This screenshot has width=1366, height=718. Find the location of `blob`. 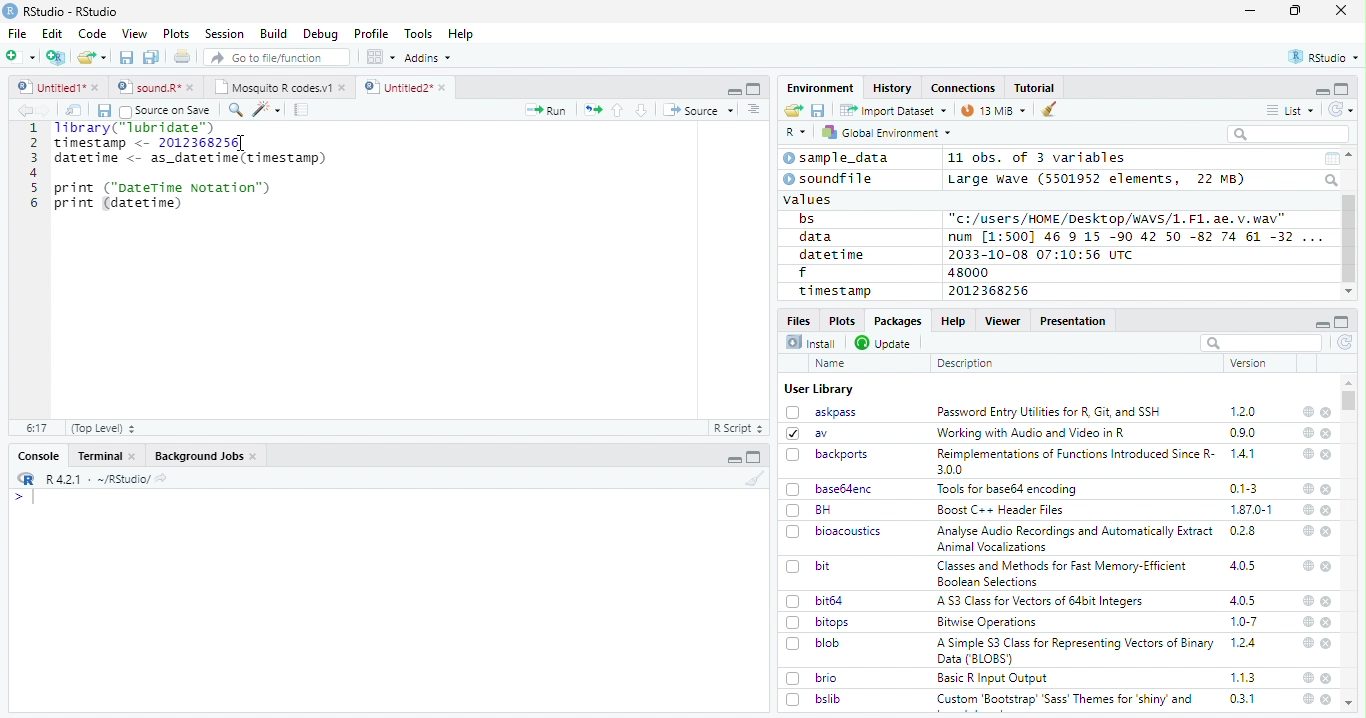

blob is located at coordinates (813, 643).